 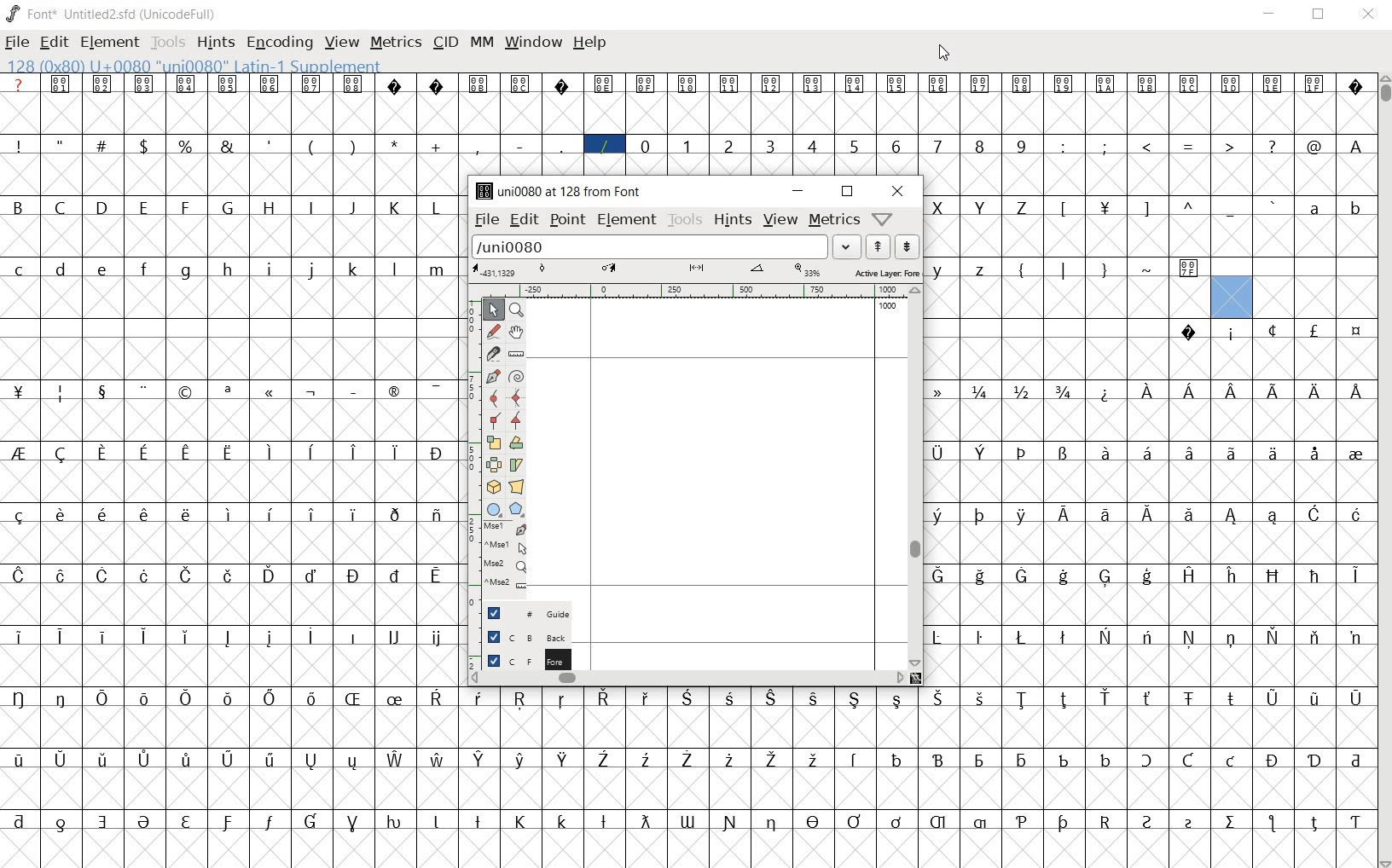 I want to click on glyph, so click(x=937, y=822).